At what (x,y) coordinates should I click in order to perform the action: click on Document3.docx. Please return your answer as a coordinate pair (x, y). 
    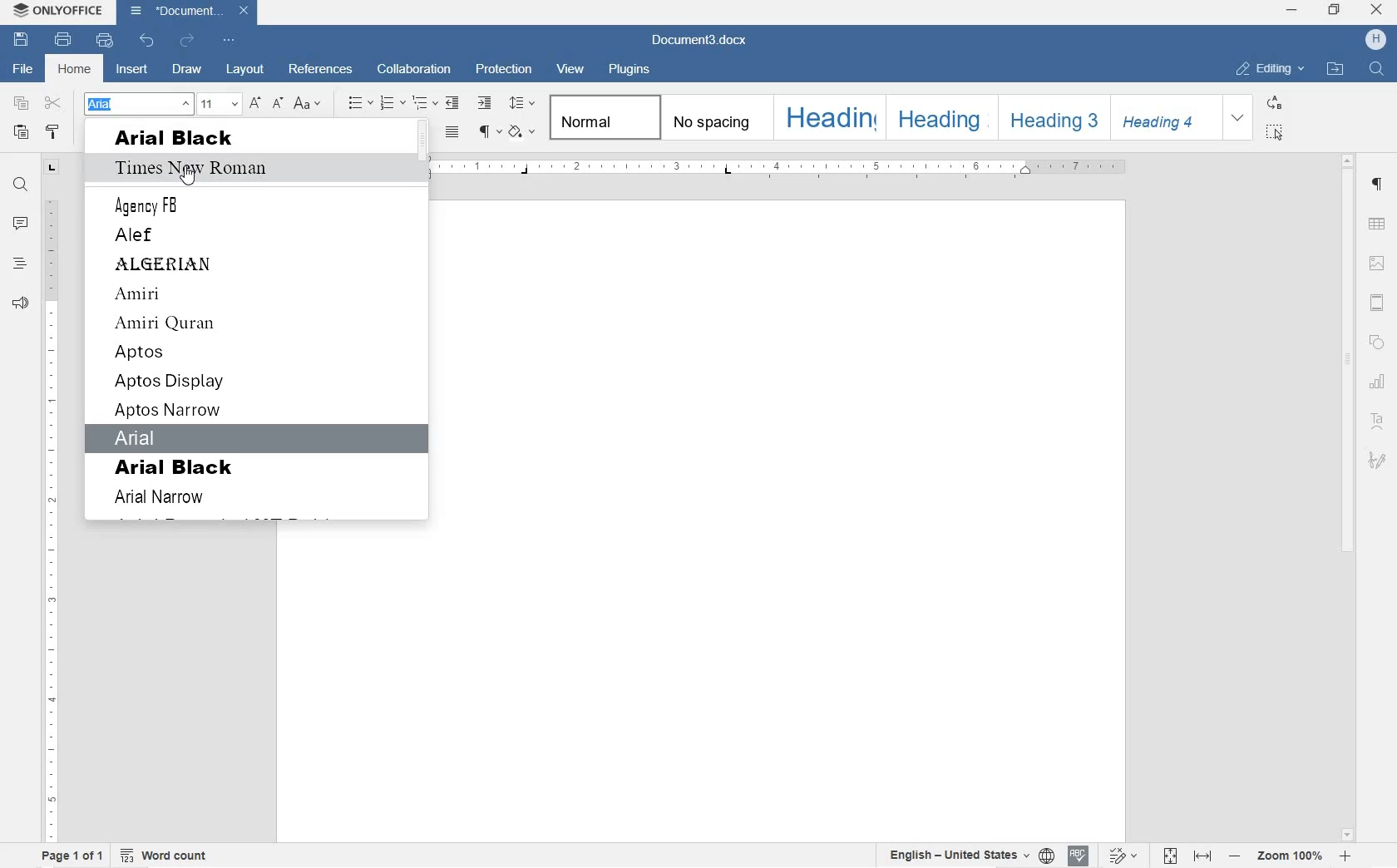
    Looking at the image, I should click on (191, 12).